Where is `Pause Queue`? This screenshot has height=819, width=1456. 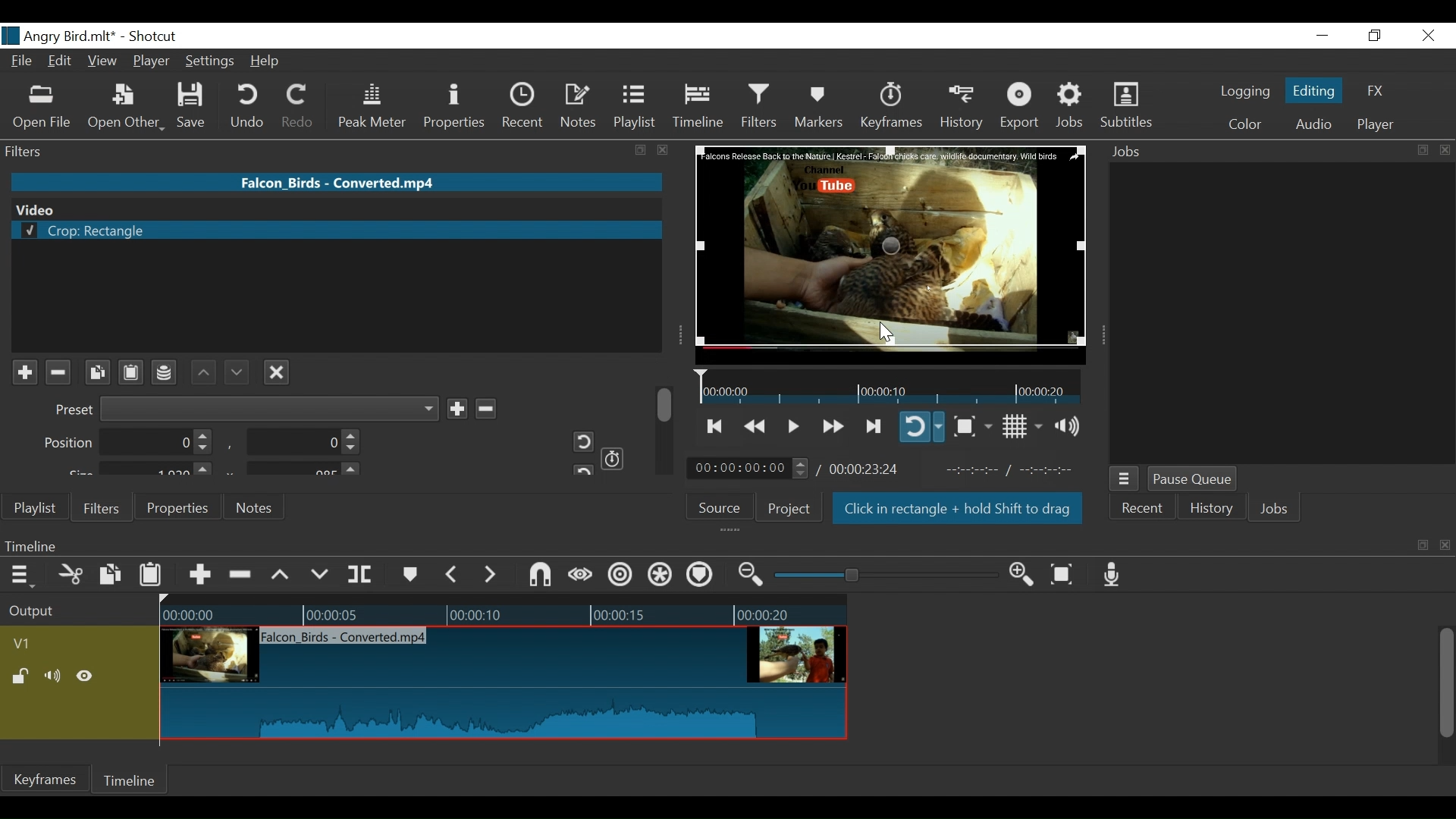
Pause Queue is located at coordinates (1194, 480).